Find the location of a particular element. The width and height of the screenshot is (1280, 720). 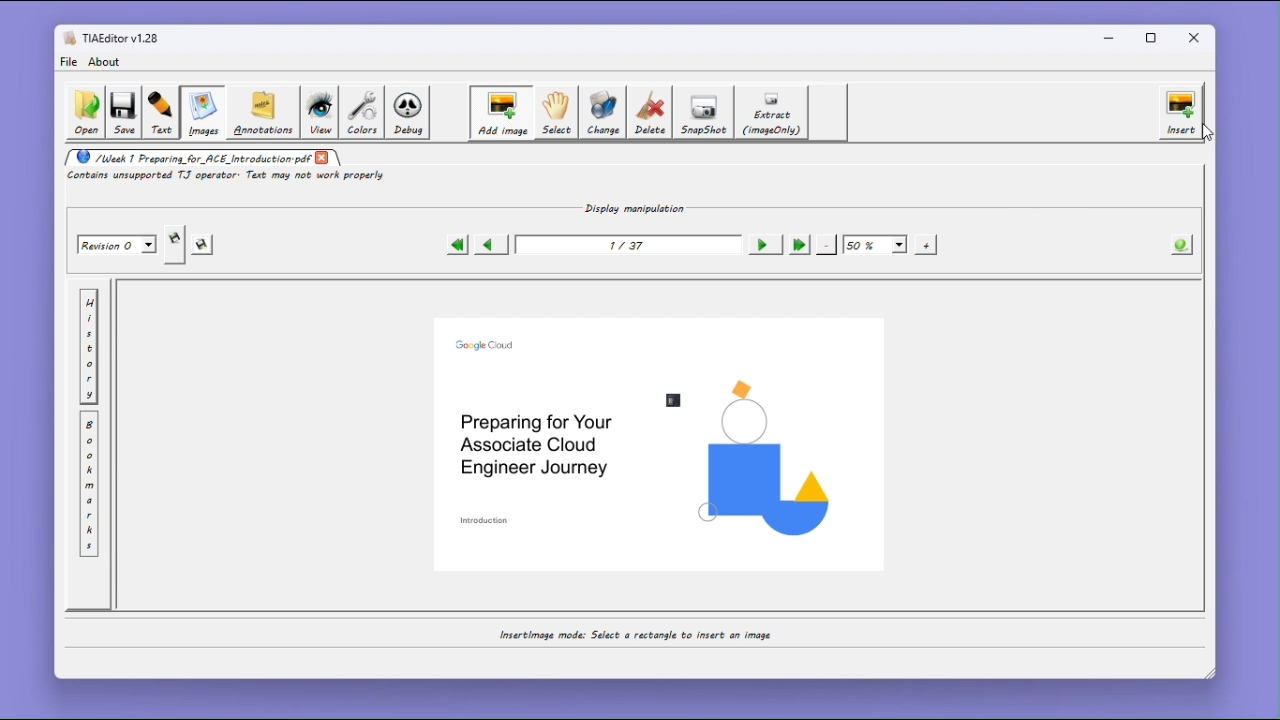

Debug is located at coordinates (410, 113).